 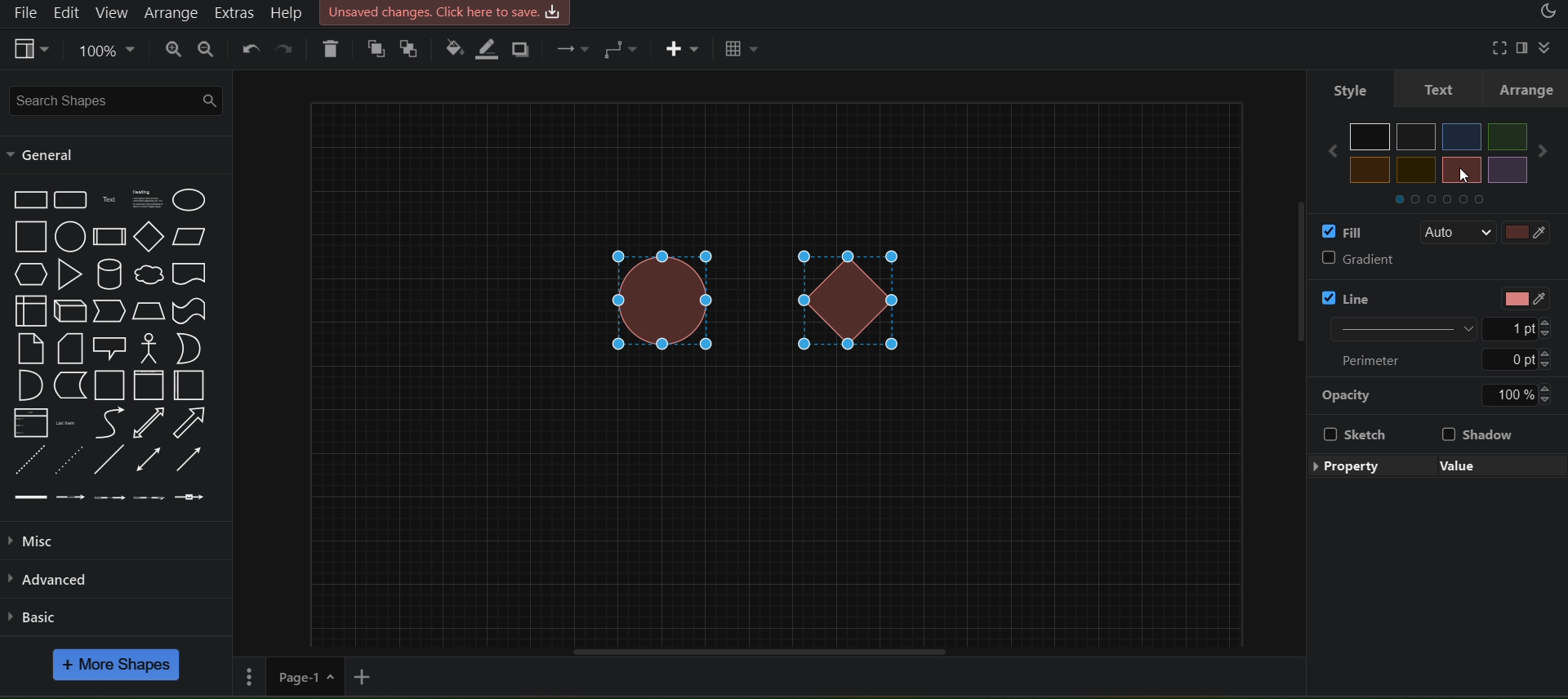 I want to click on Diamond, so click(x=148, y=236).